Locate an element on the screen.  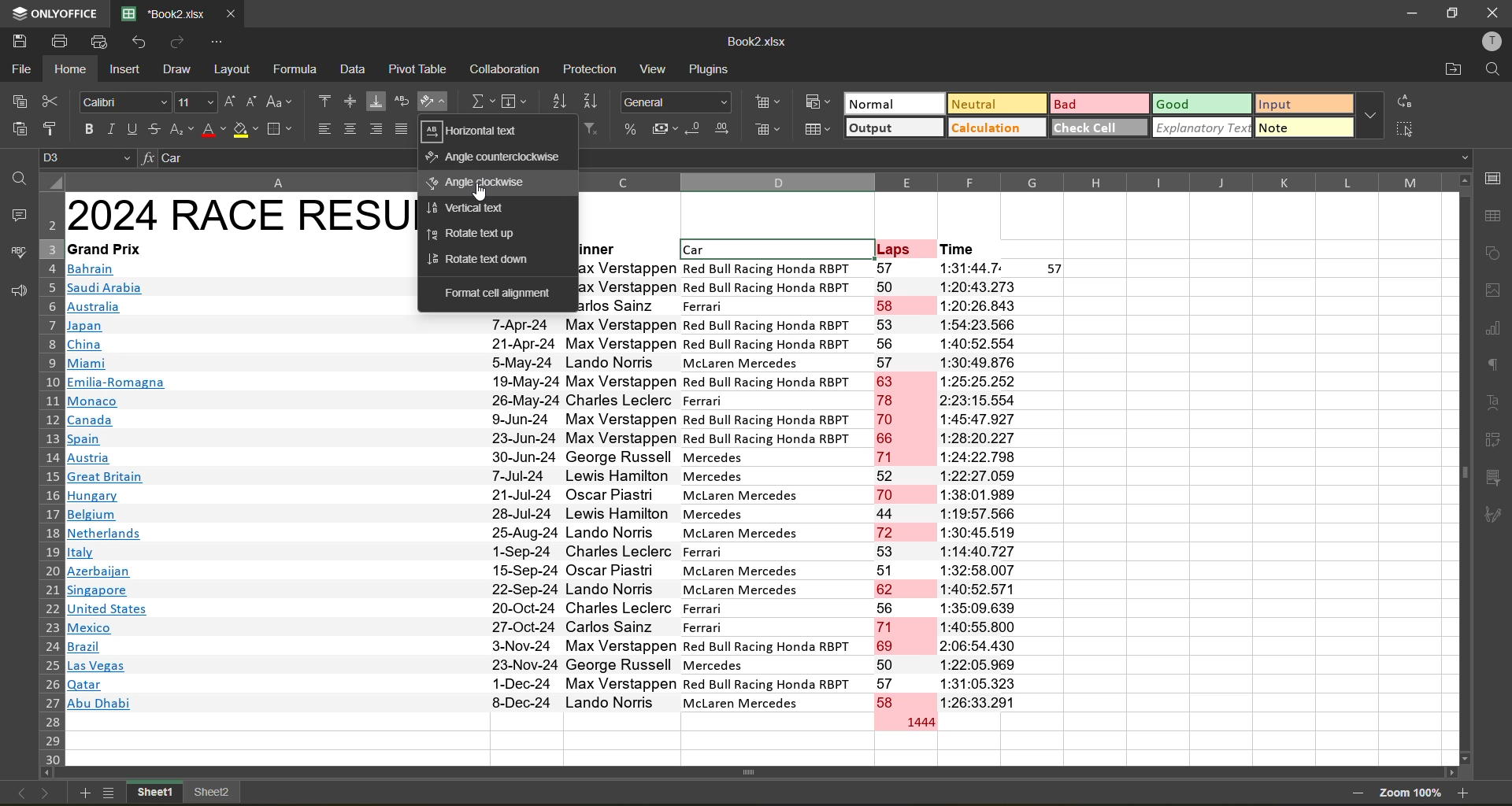
align middle is located at coordinates (350, 100).